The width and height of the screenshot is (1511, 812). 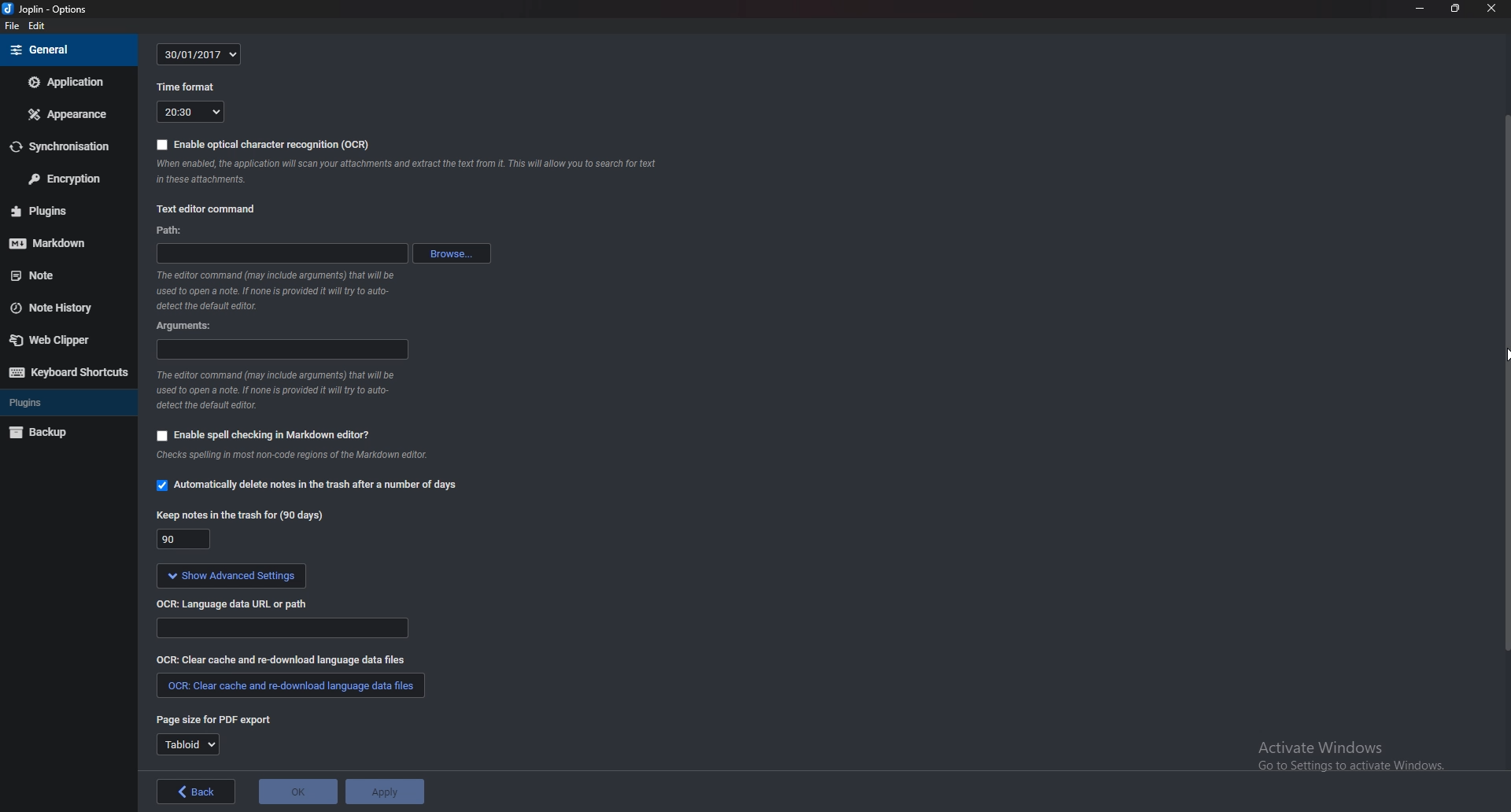 What do you see at coordinates (286, 291) in the screenshot?
I see `info` at bounding box center [286, 291].